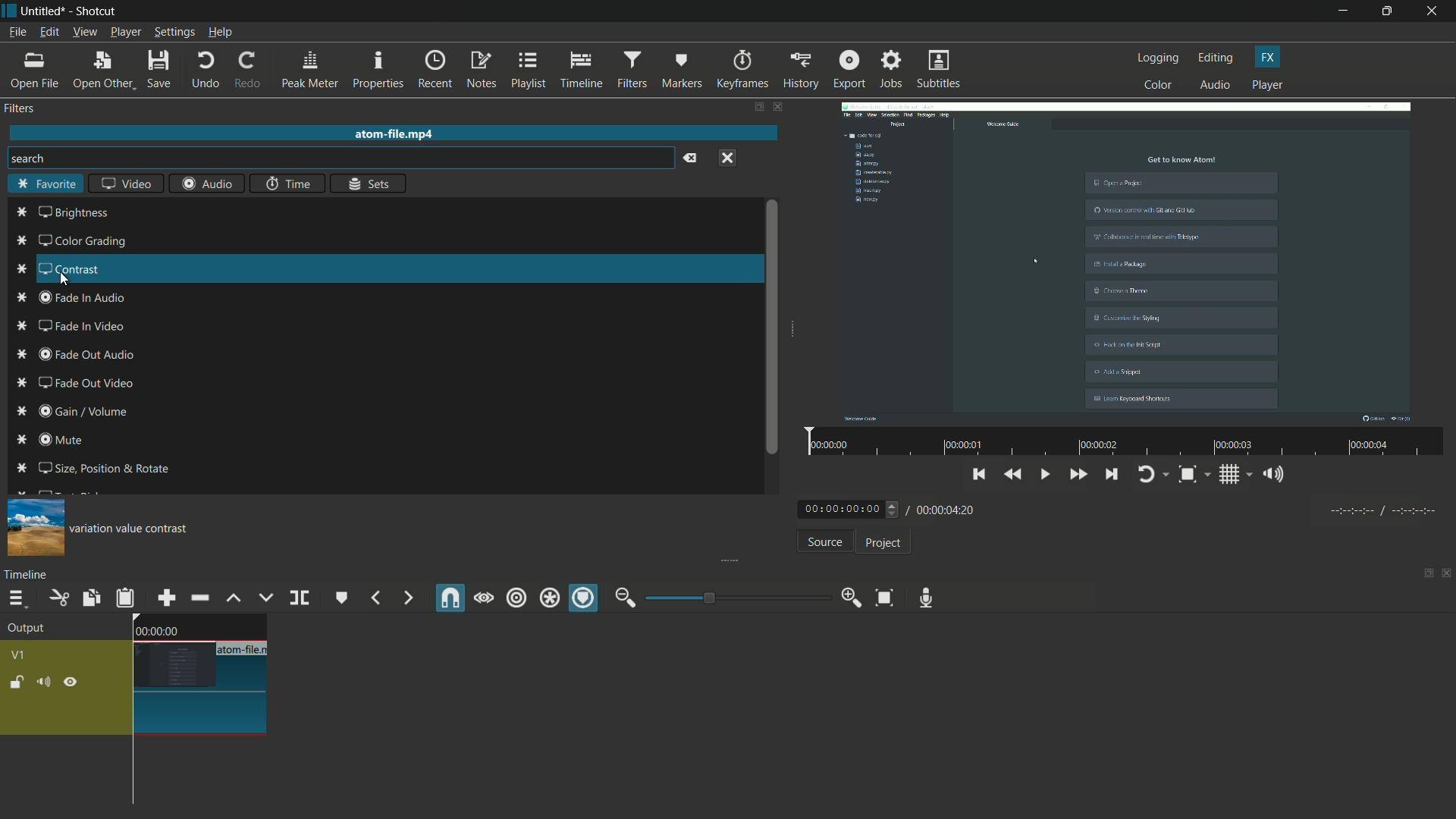 Image resolution: width=1456 pixels, height=819 pixels. What do you see at coordinates (1389, 11) in the screenshot?
I see `maximize` at bounding box center [1389, 11].